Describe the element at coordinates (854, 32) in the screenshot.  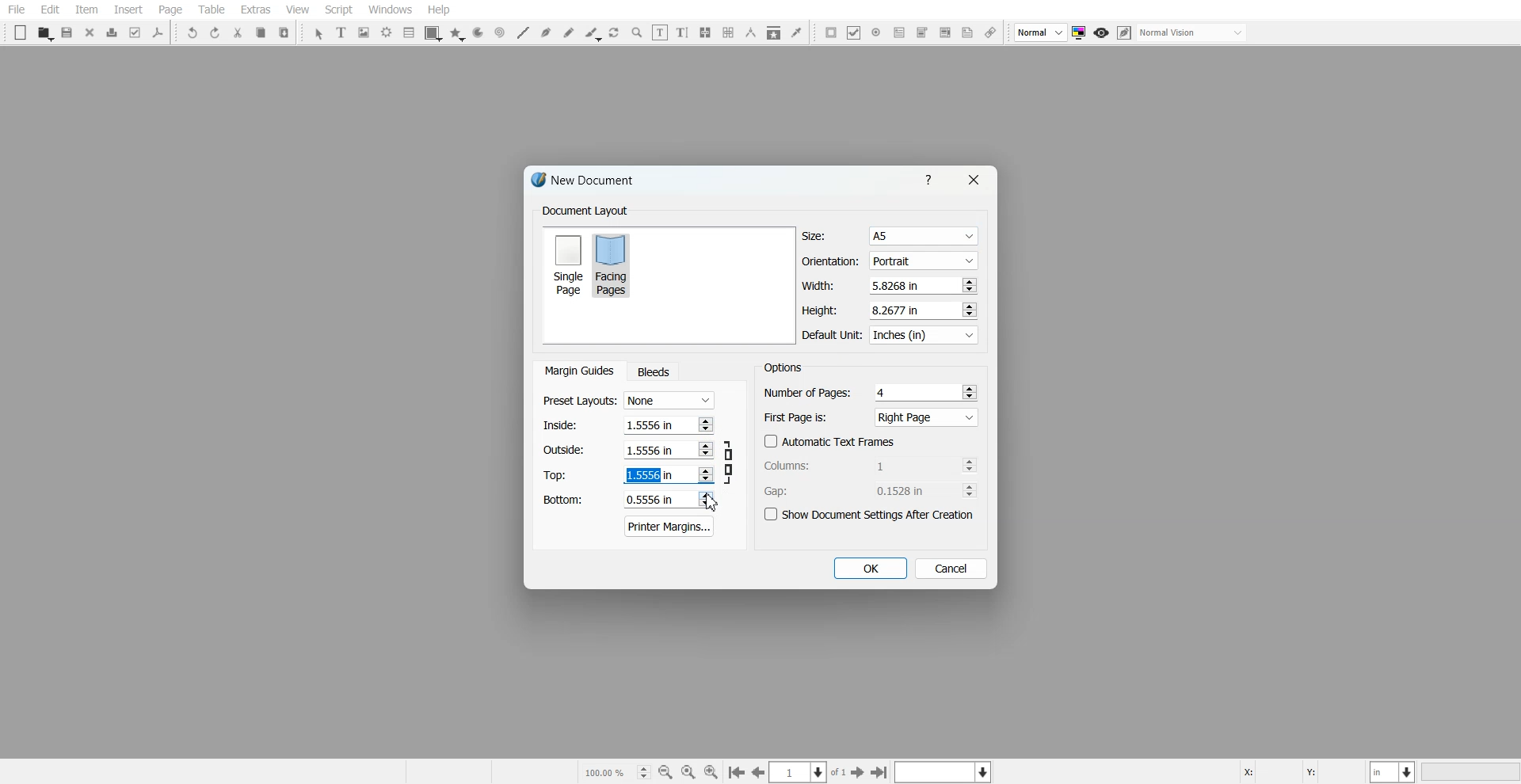
I see `PDF Check Box` at that location.